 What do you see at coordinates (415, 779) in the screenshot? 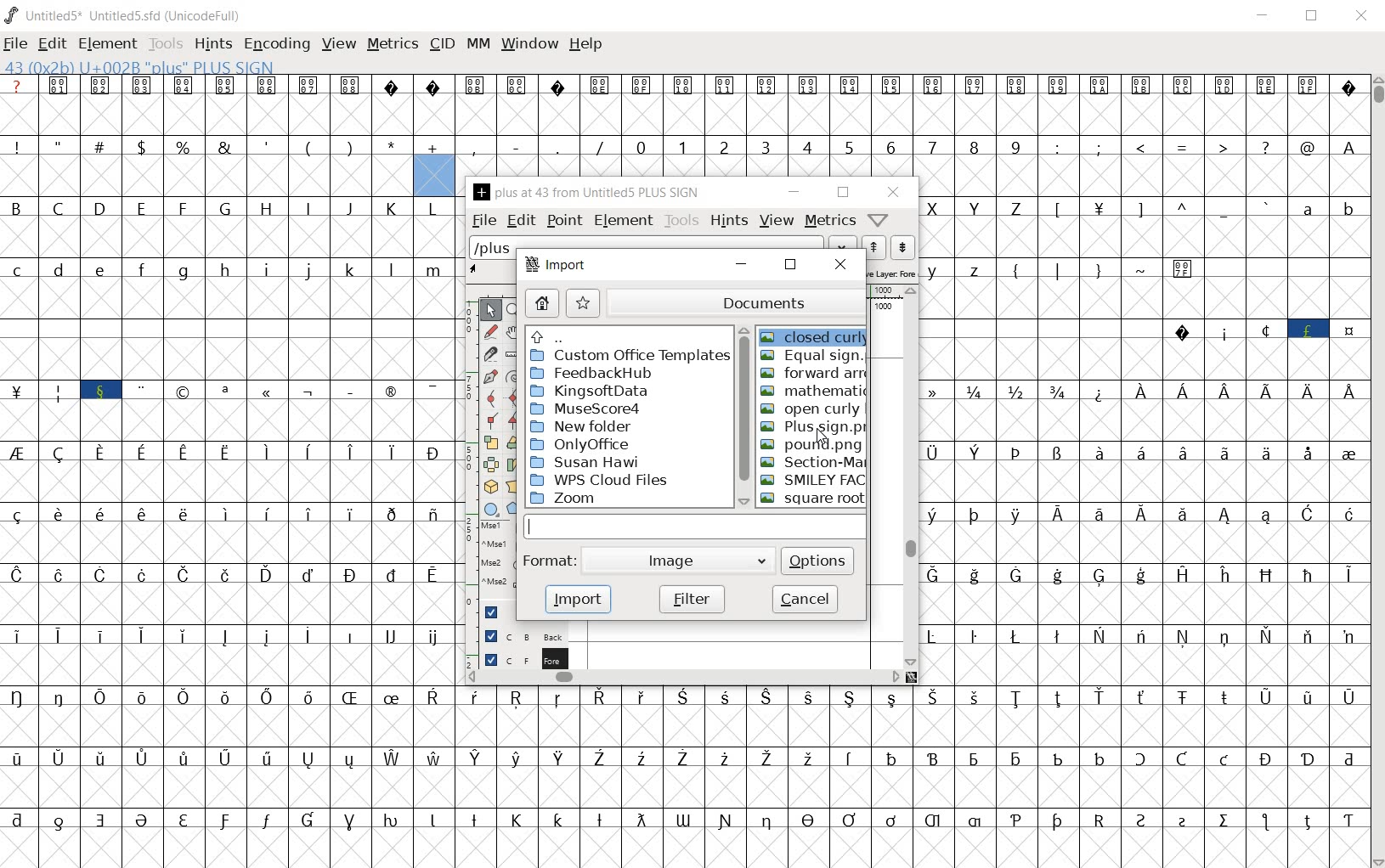
I see `accented letters` at bounding box center [415, 779].